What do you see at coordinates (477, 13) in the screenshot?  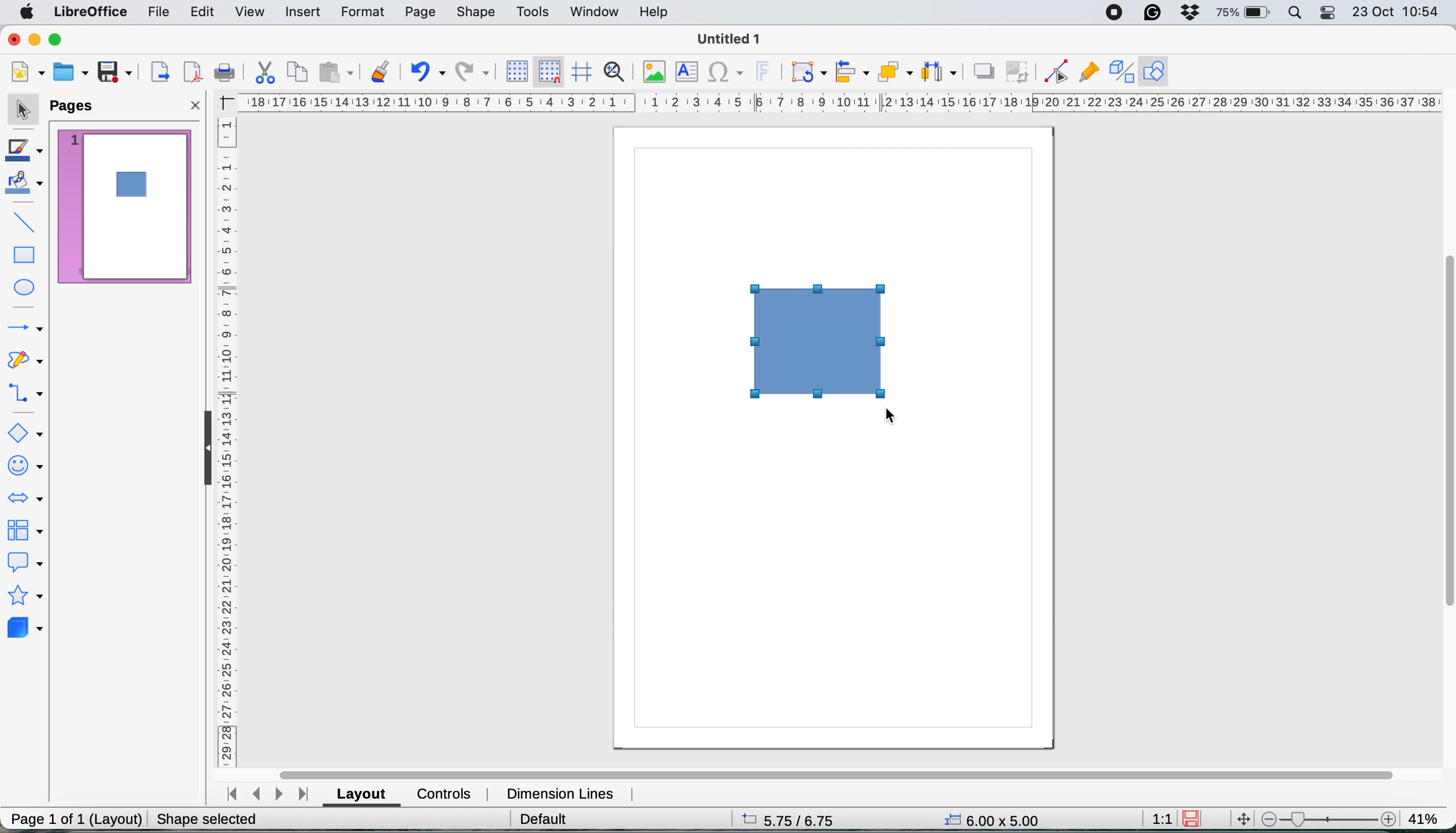 I see `shape` at bounding box center [477, 13].